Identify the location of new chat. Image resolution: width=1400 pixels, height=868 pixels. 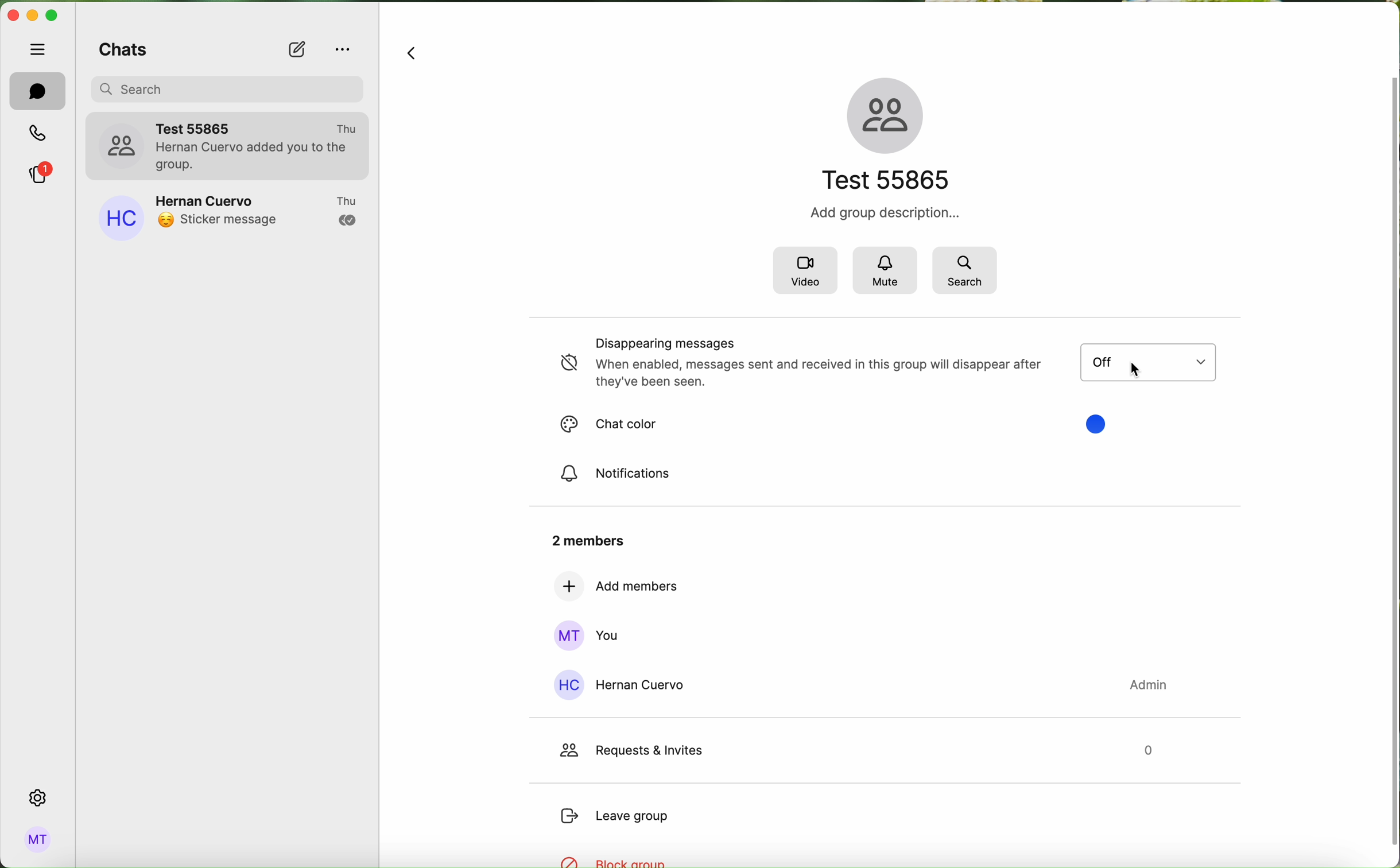
(297, 51).